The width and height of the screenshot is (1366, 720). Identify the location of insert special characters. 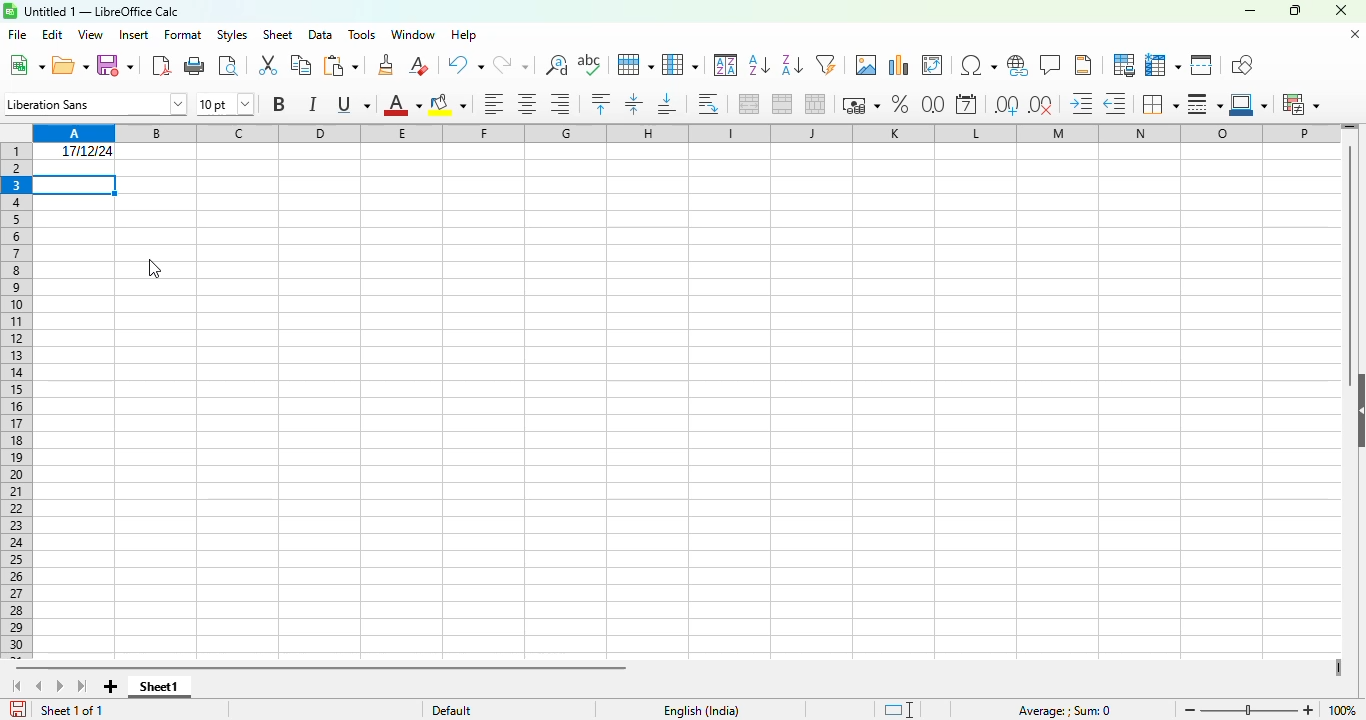
(978, 65).